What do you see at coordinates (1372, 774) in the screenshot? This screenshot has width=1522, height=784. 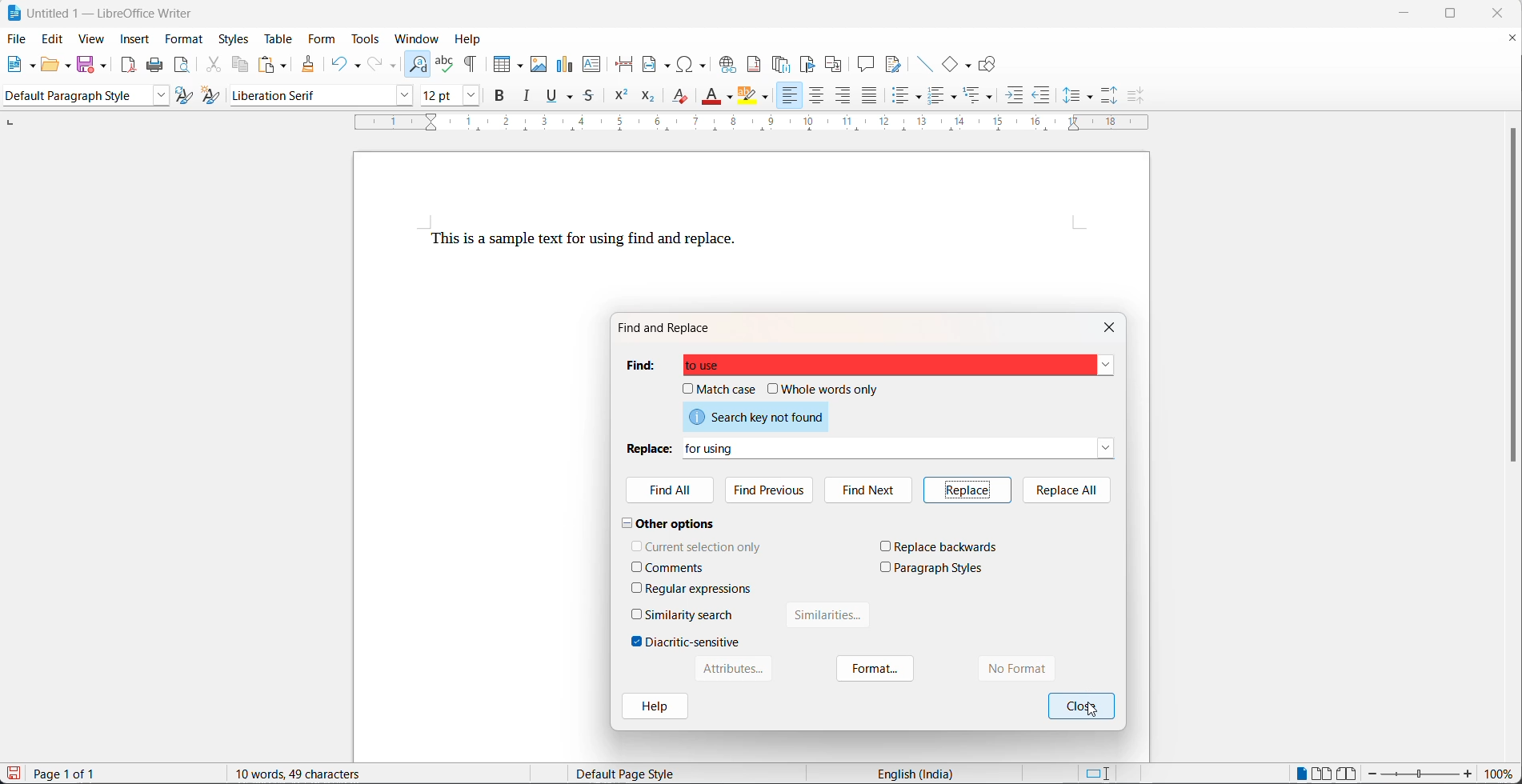 I see `decrease zoom` at bounding box center [1372, 774].